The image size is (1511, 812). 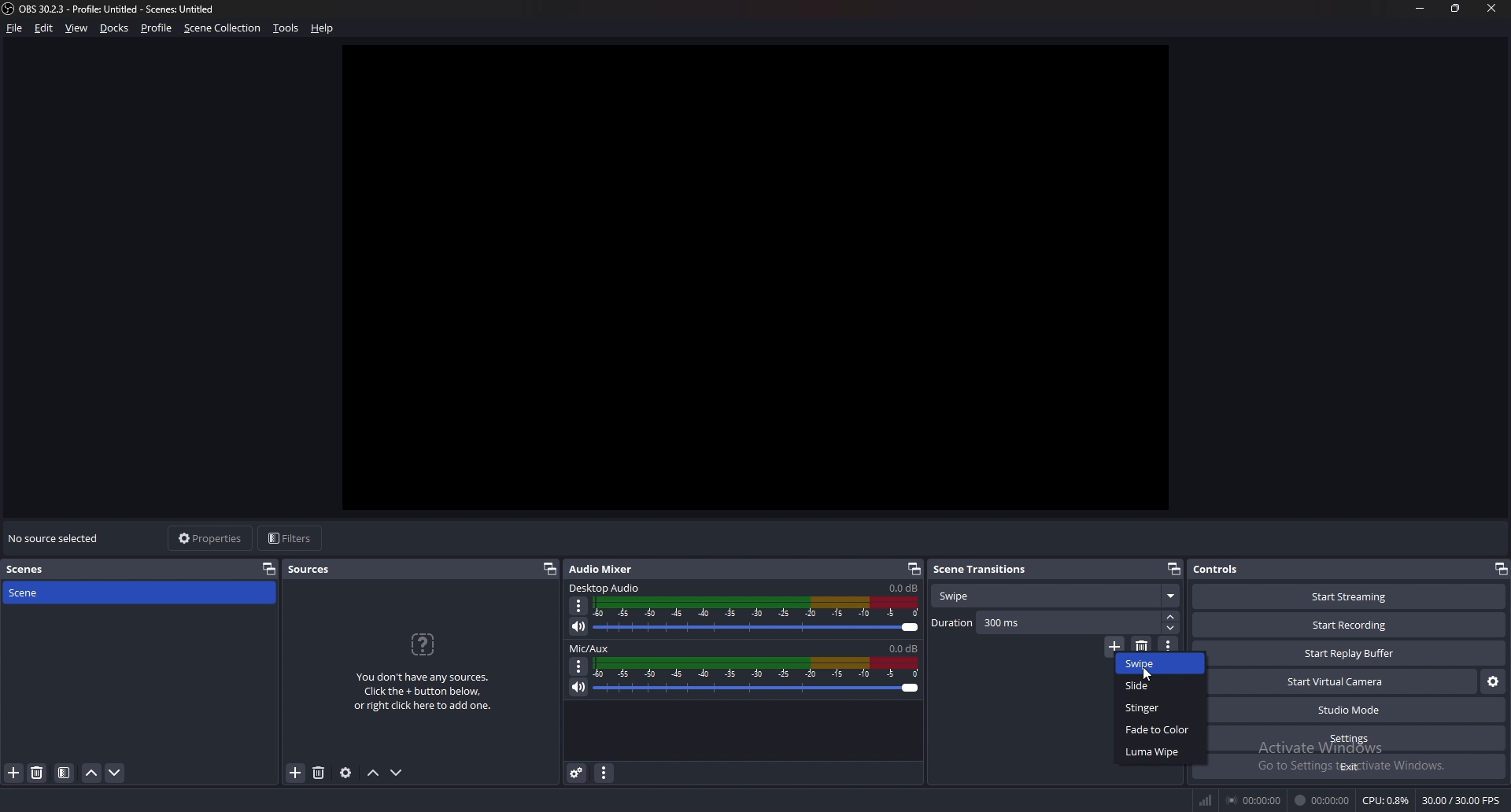 What do you see at coordinates (1174, 569) in the screenshot?
I see `pop out` at bounding box center [1174, 569].